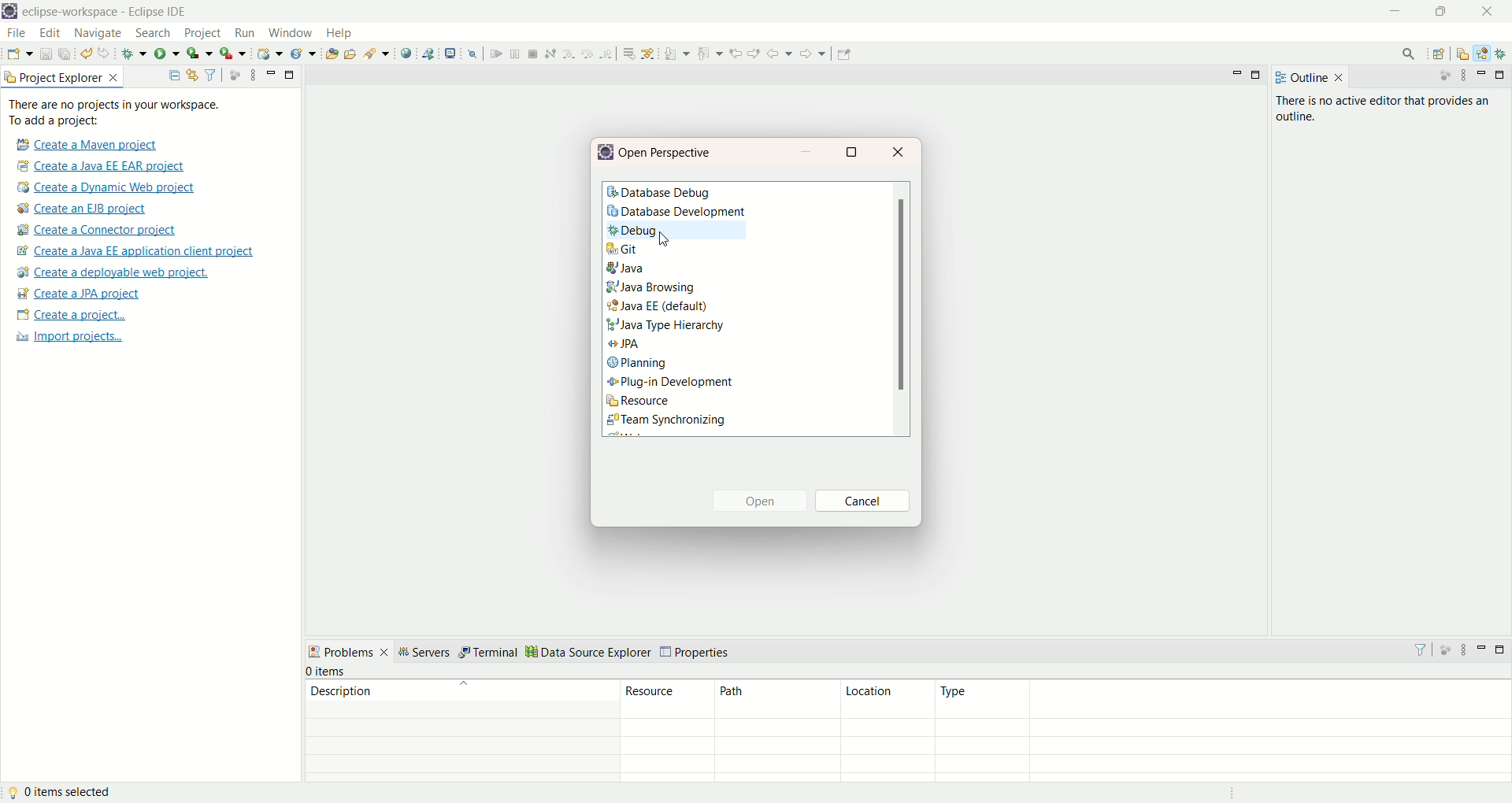  What do you see at coordinates (1386, 109) in the screenshot?
I see `there is no active editor that provides an outline` at bounding box center [1386, 109].